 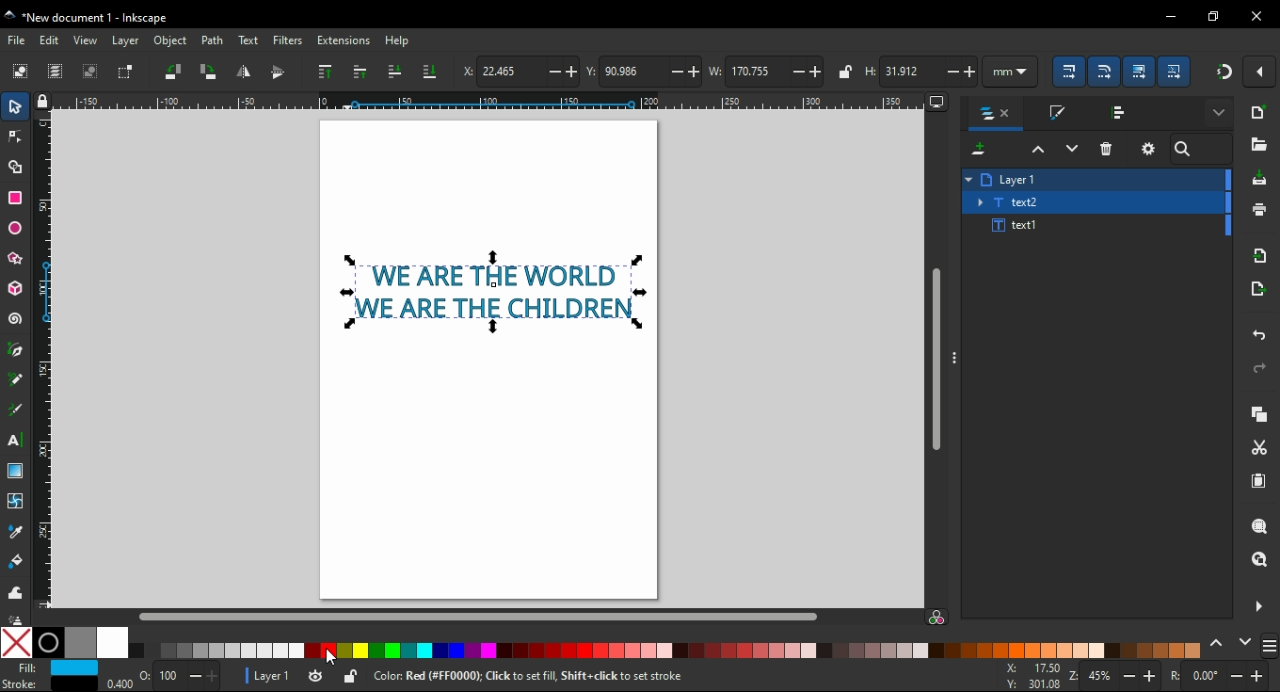 I want to click on rectangle tool, so click(x=15, y=198).